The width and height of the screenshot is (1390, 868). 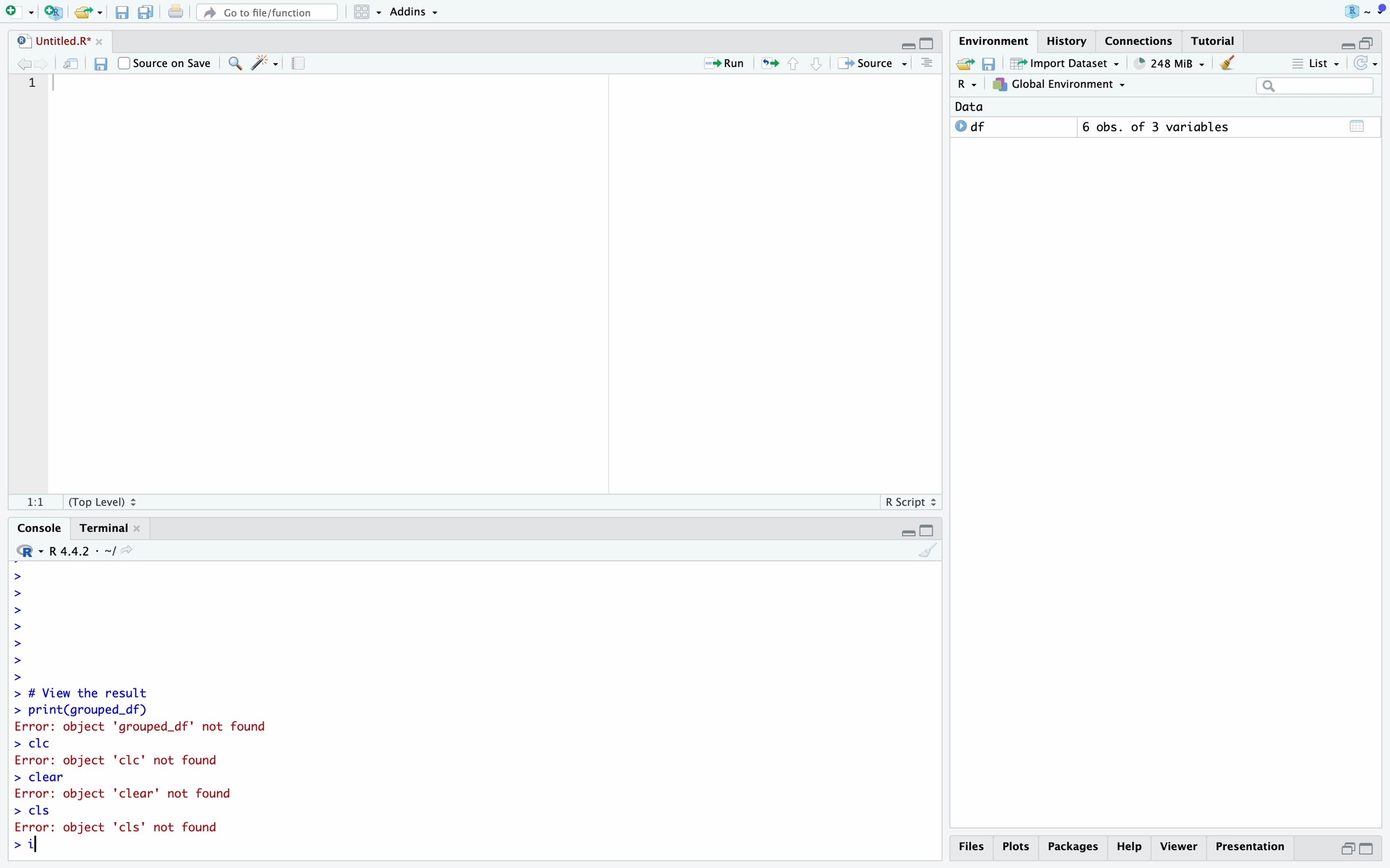 I want to click on Global Environment, so click(x=1059, y=86).